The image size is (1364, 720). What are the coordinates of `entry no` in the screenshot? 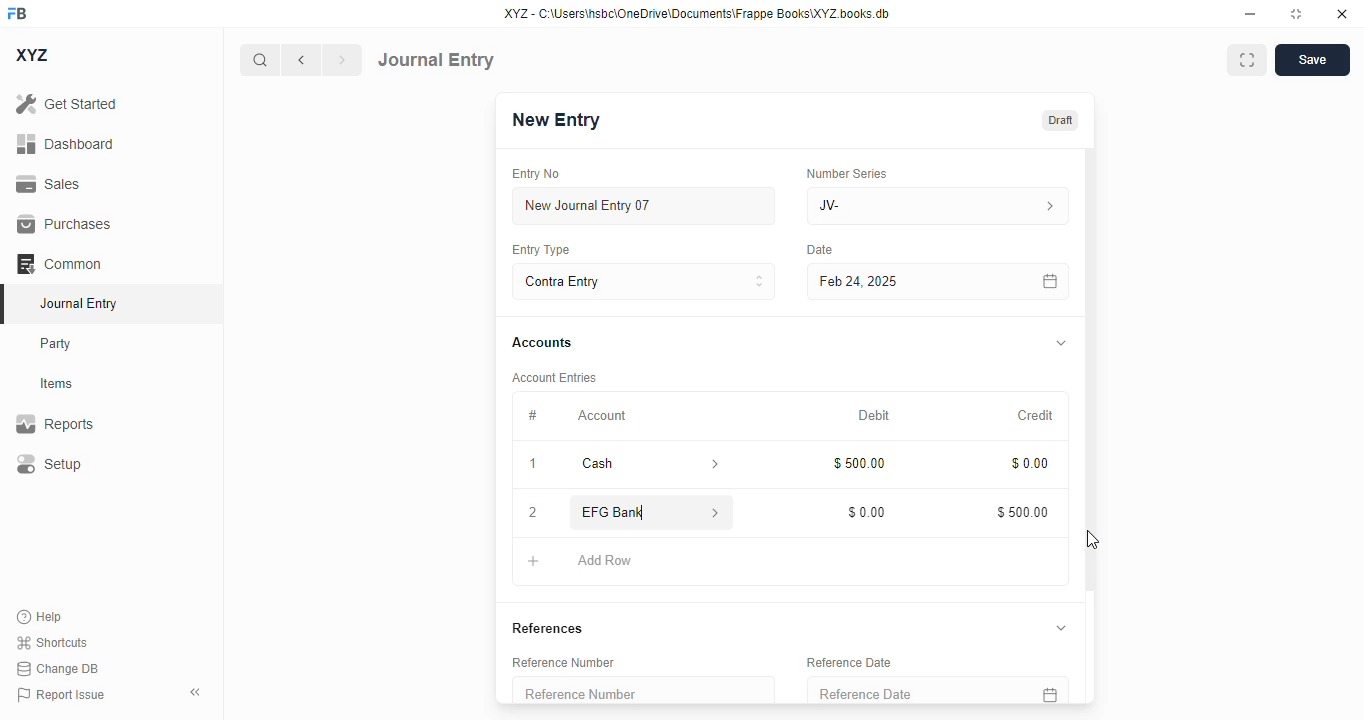 It's located at (537, 173).